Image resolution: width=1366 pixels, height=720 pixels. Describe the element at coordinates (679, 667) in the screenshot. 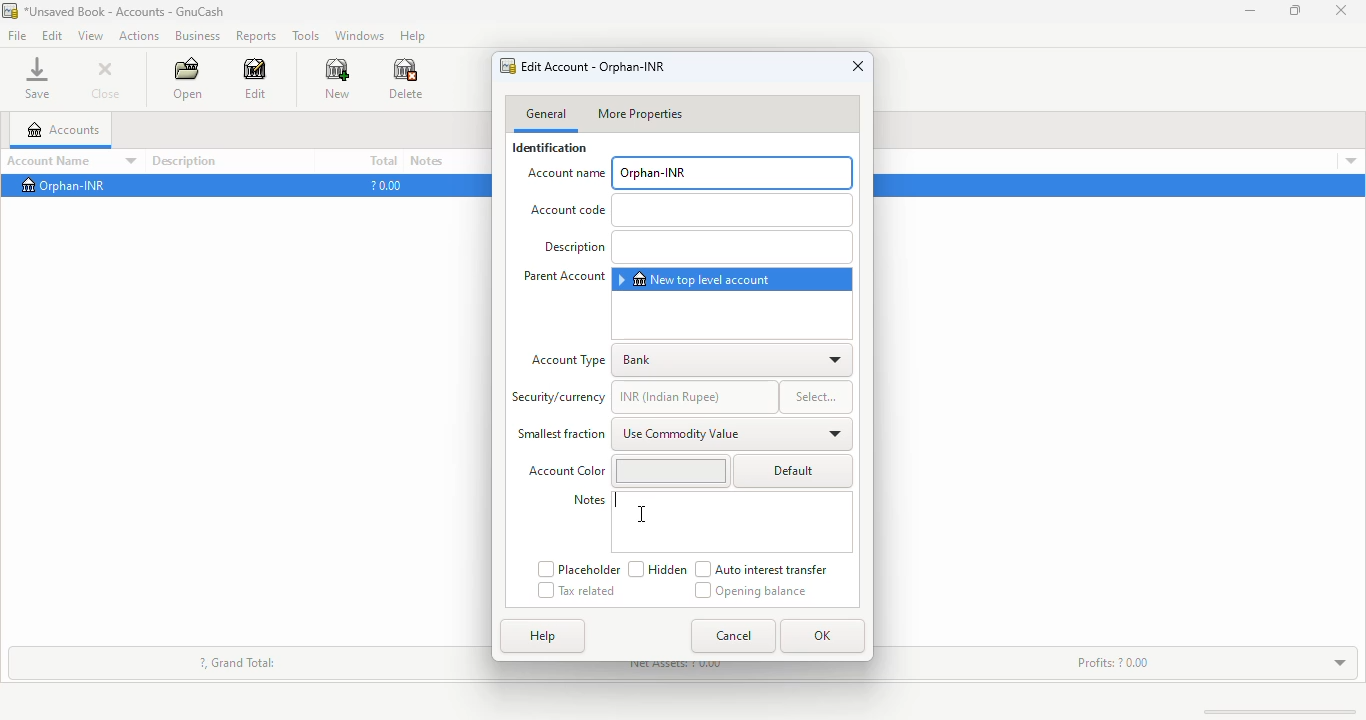

I see `net assets: ? 0.00` at that location.